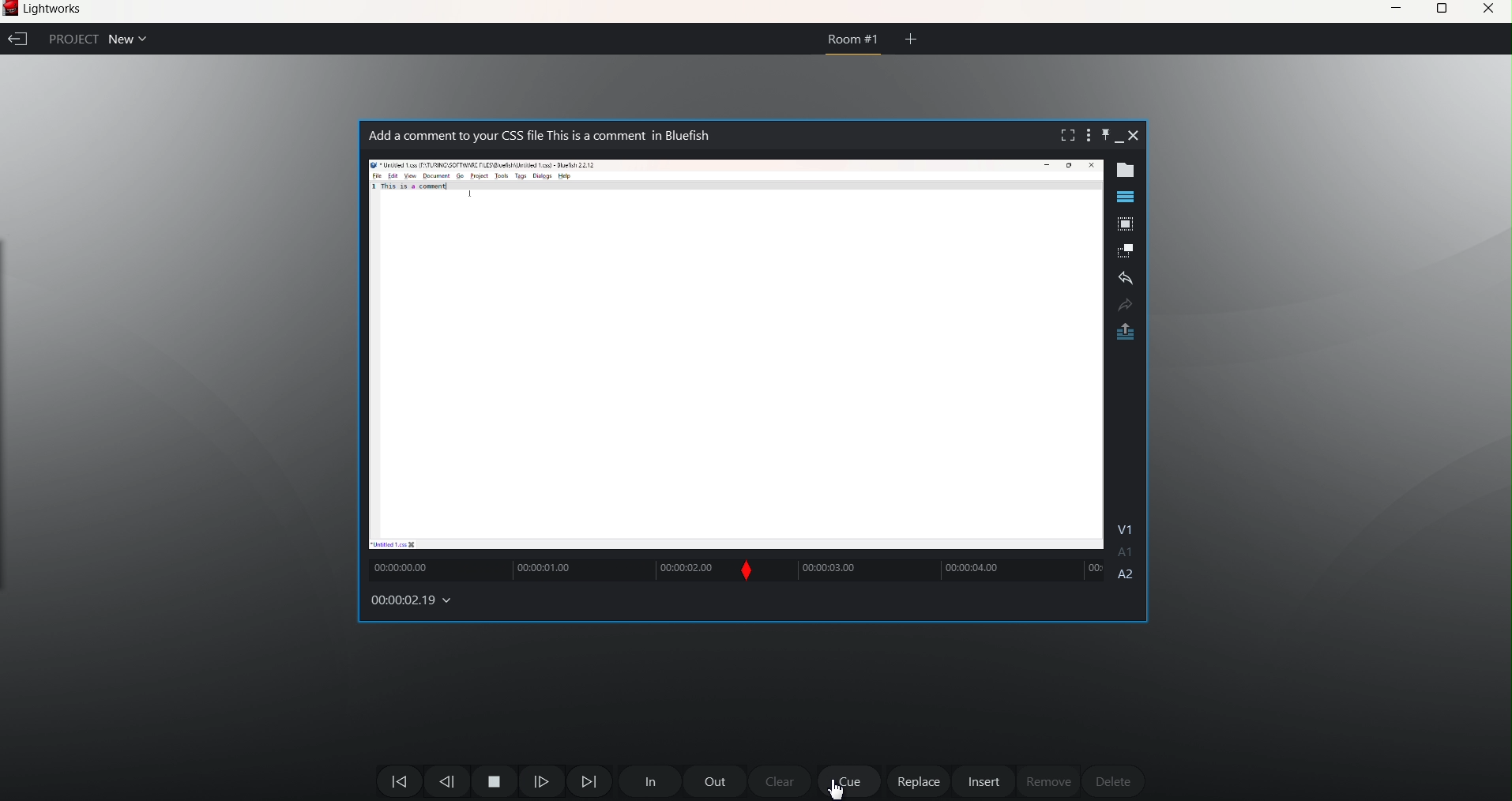 The image size is (1512, 801). Describe the element at coordinates (1111, 778) in the screenshot. I see `delete` at that location.